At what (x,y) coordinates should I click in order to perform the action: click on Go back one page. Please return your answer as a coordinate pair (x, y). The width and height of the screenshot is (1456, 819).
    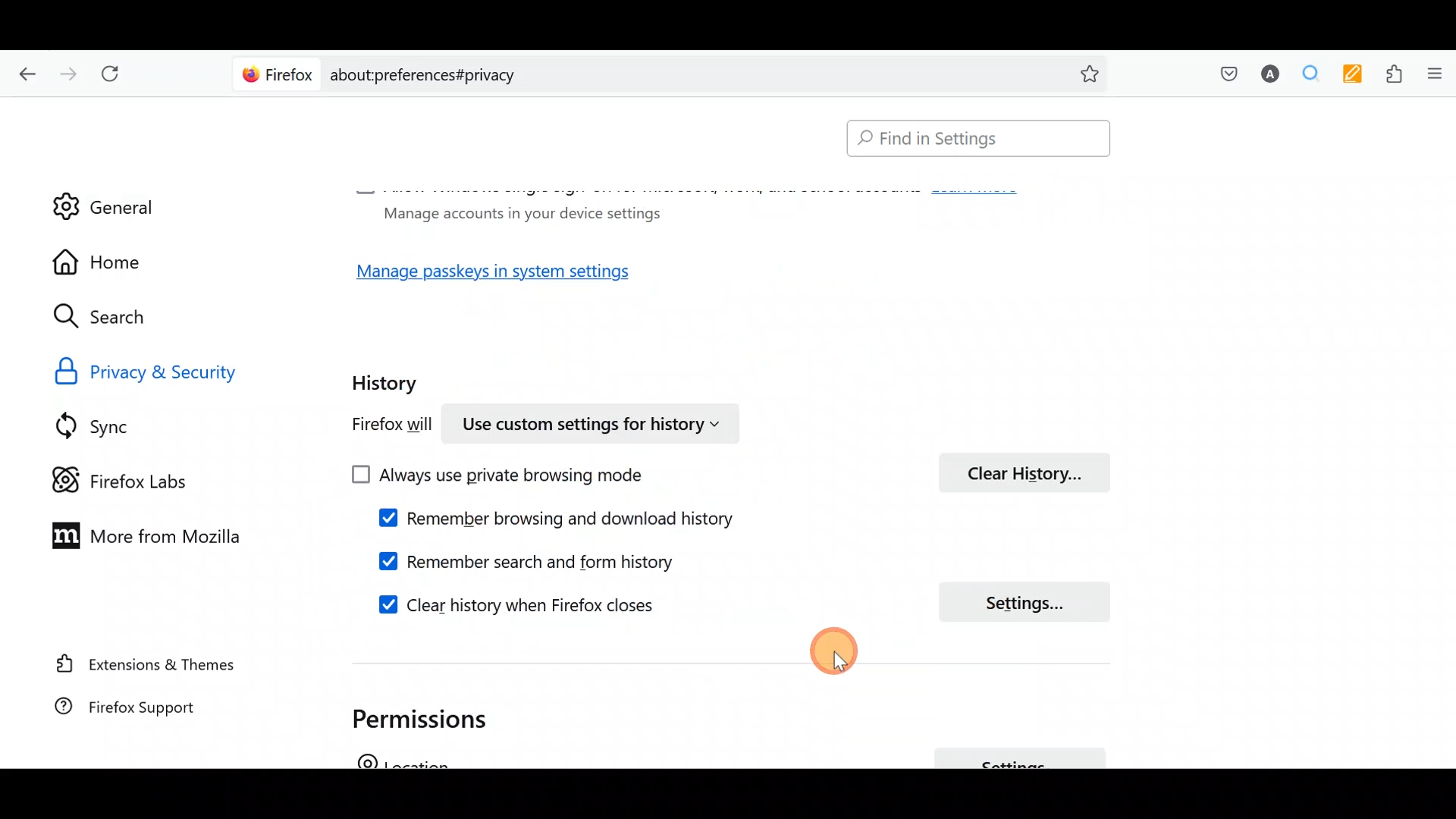
    Looking at the image, I should click on (24, 72).